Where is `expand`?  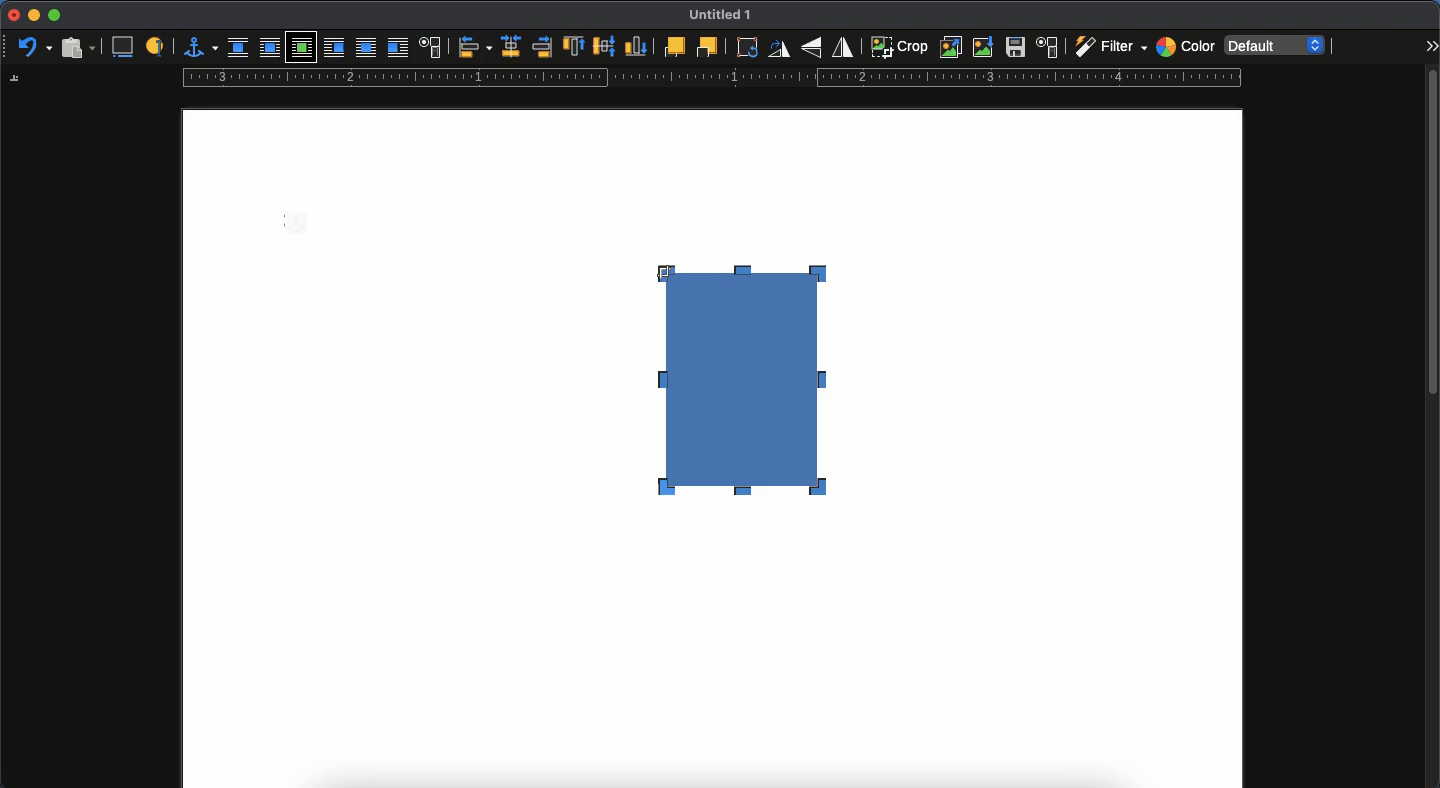 expand is located at coordinates (1431, 45).